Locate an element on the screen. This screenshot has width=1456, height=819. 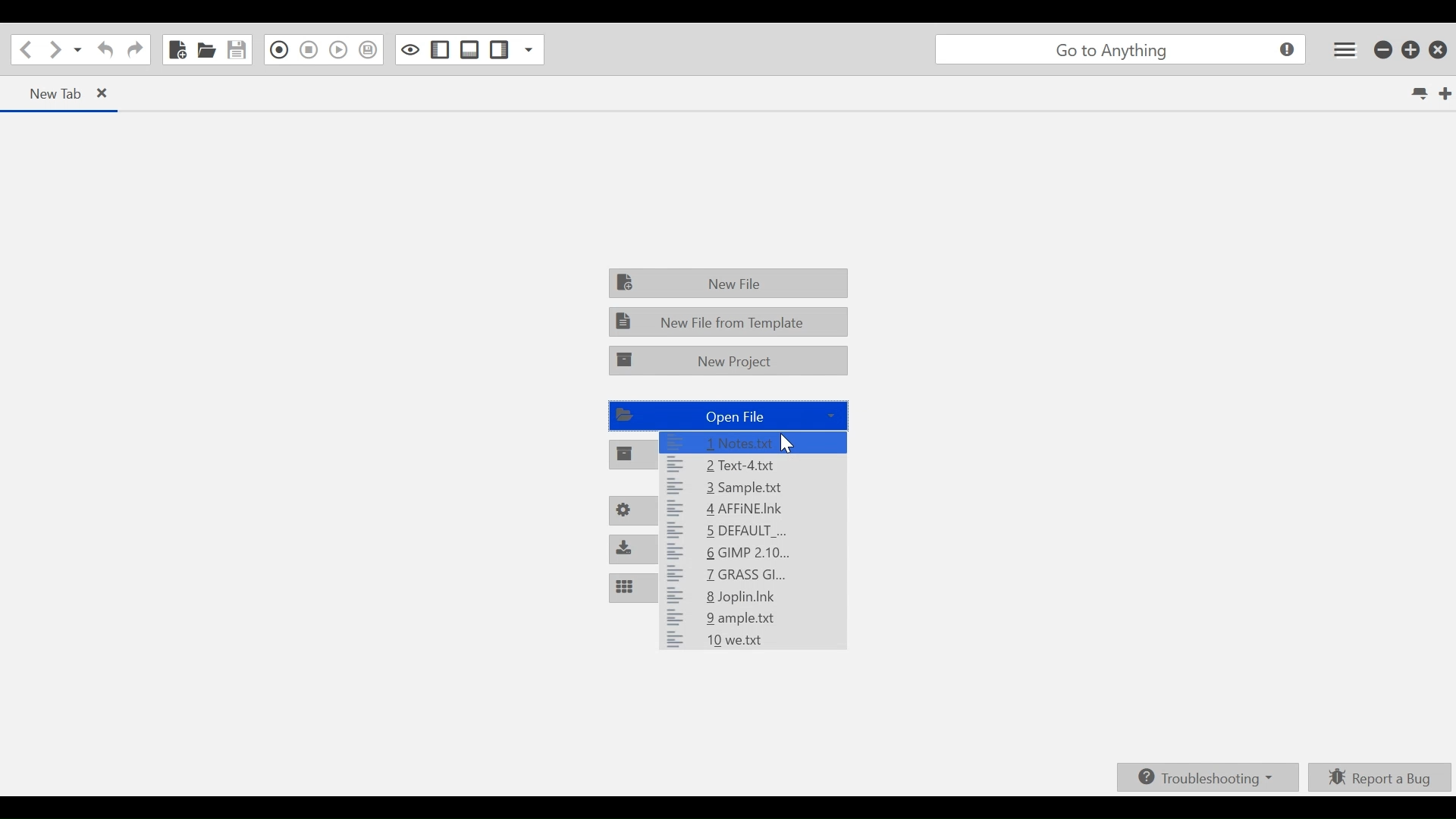
7 GRASS Gl... is located at coordinates (754, 574).